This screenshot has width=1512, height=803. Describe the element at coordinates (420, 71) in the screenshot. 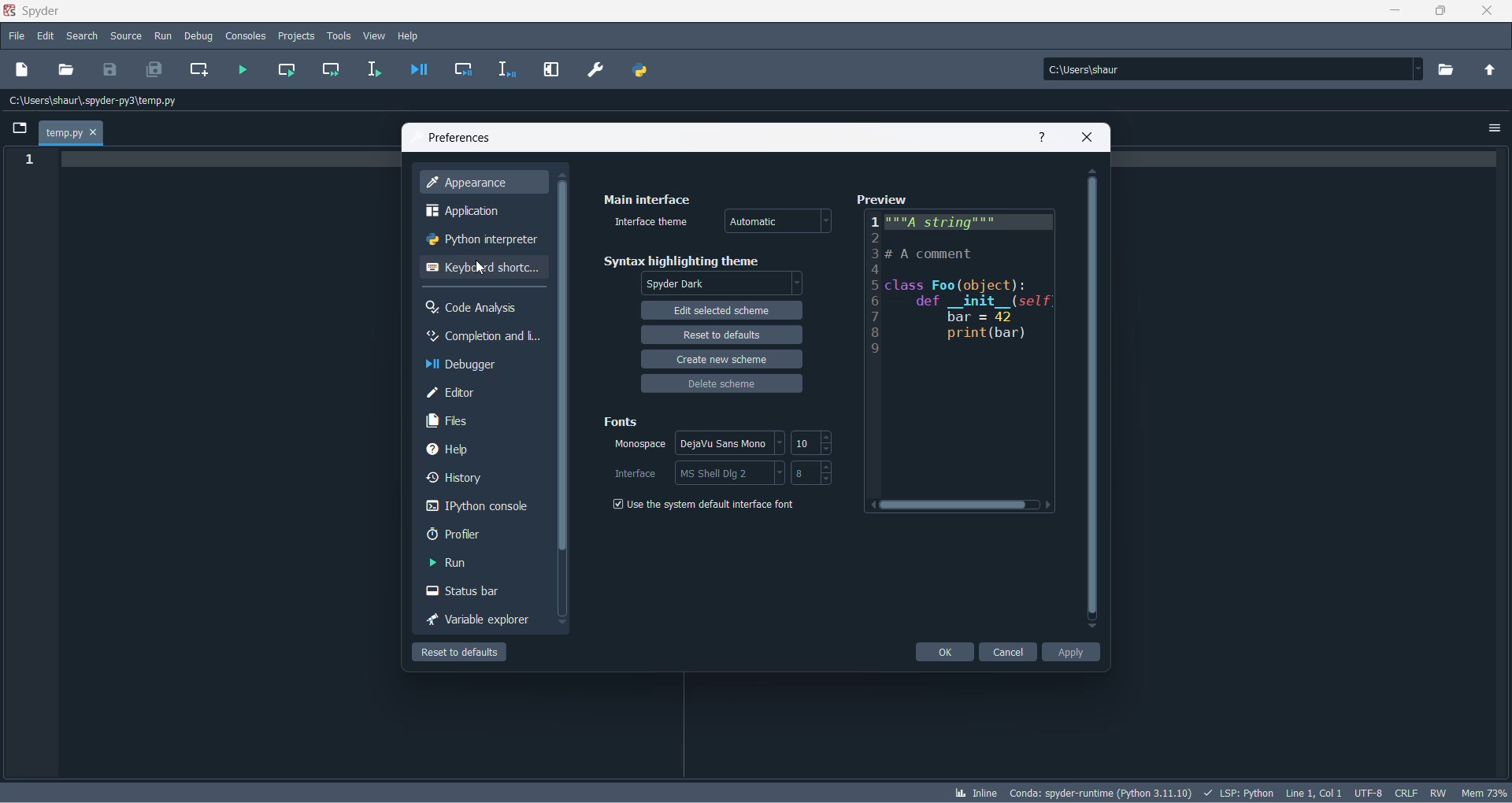

I see `debug file` at that location.